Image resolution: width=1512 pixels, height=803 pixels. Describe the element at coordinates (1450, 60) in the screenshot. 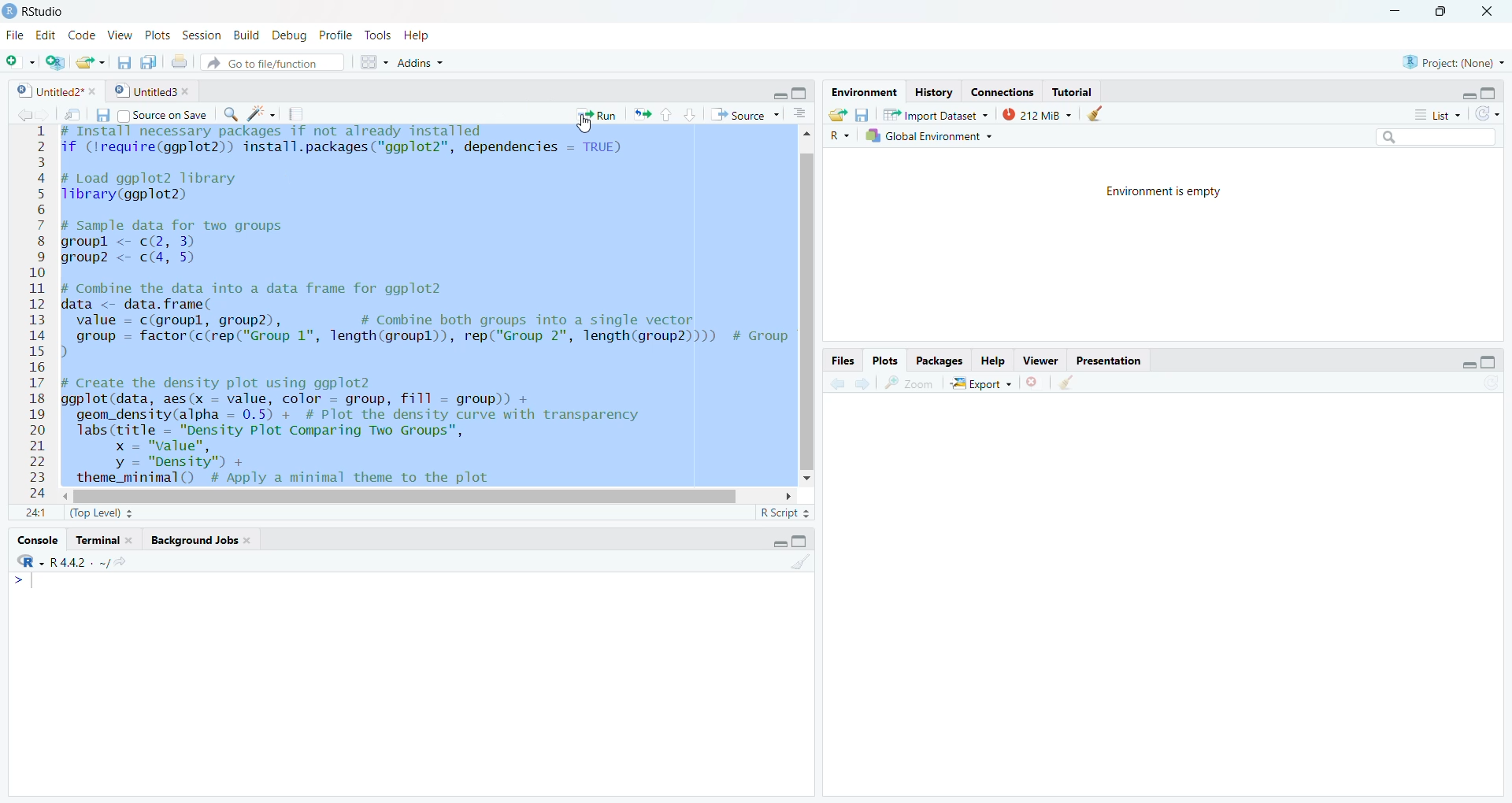

I see `project none` at that location.